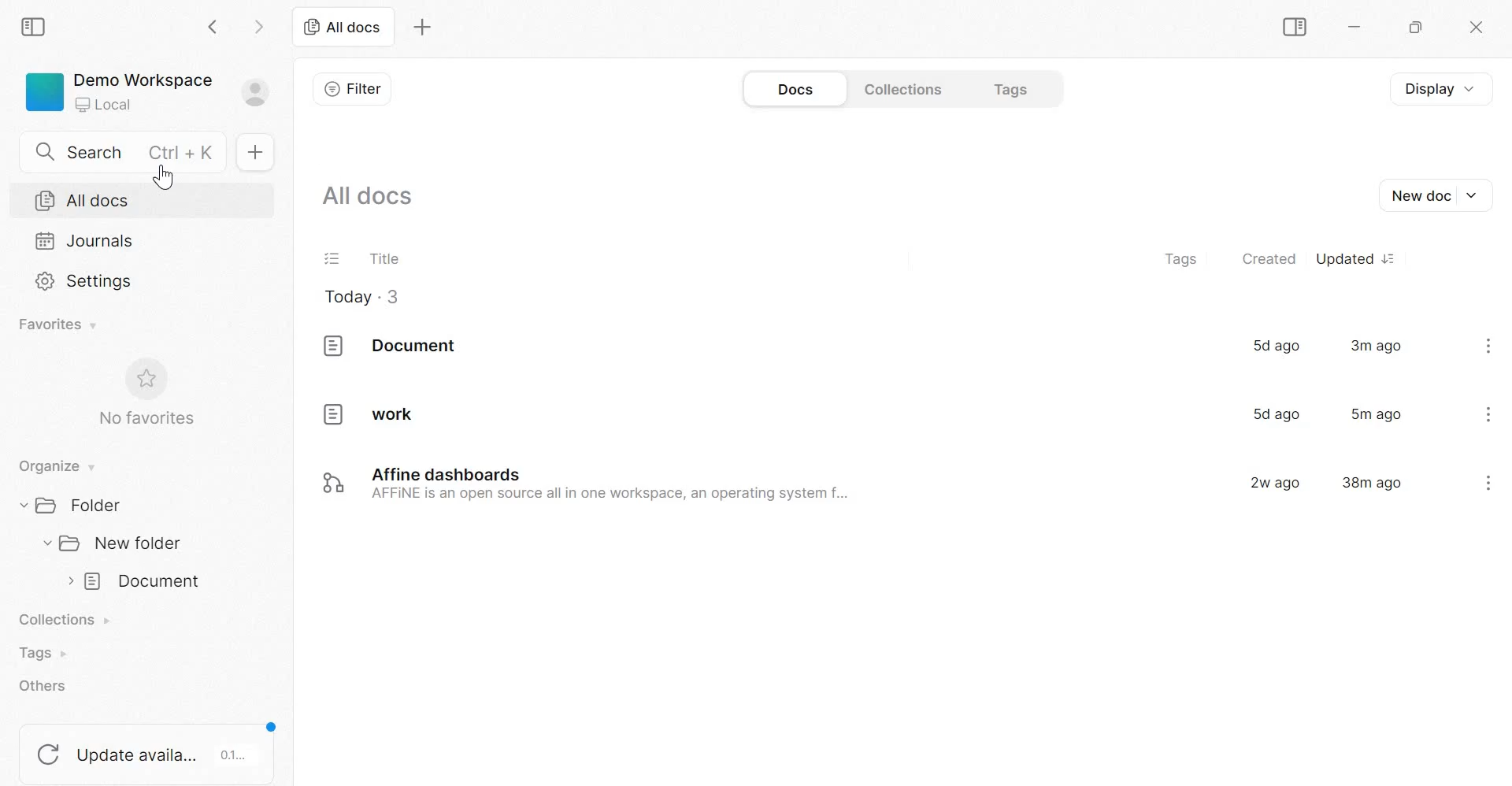  I want to click on Document, so click(390, 346).